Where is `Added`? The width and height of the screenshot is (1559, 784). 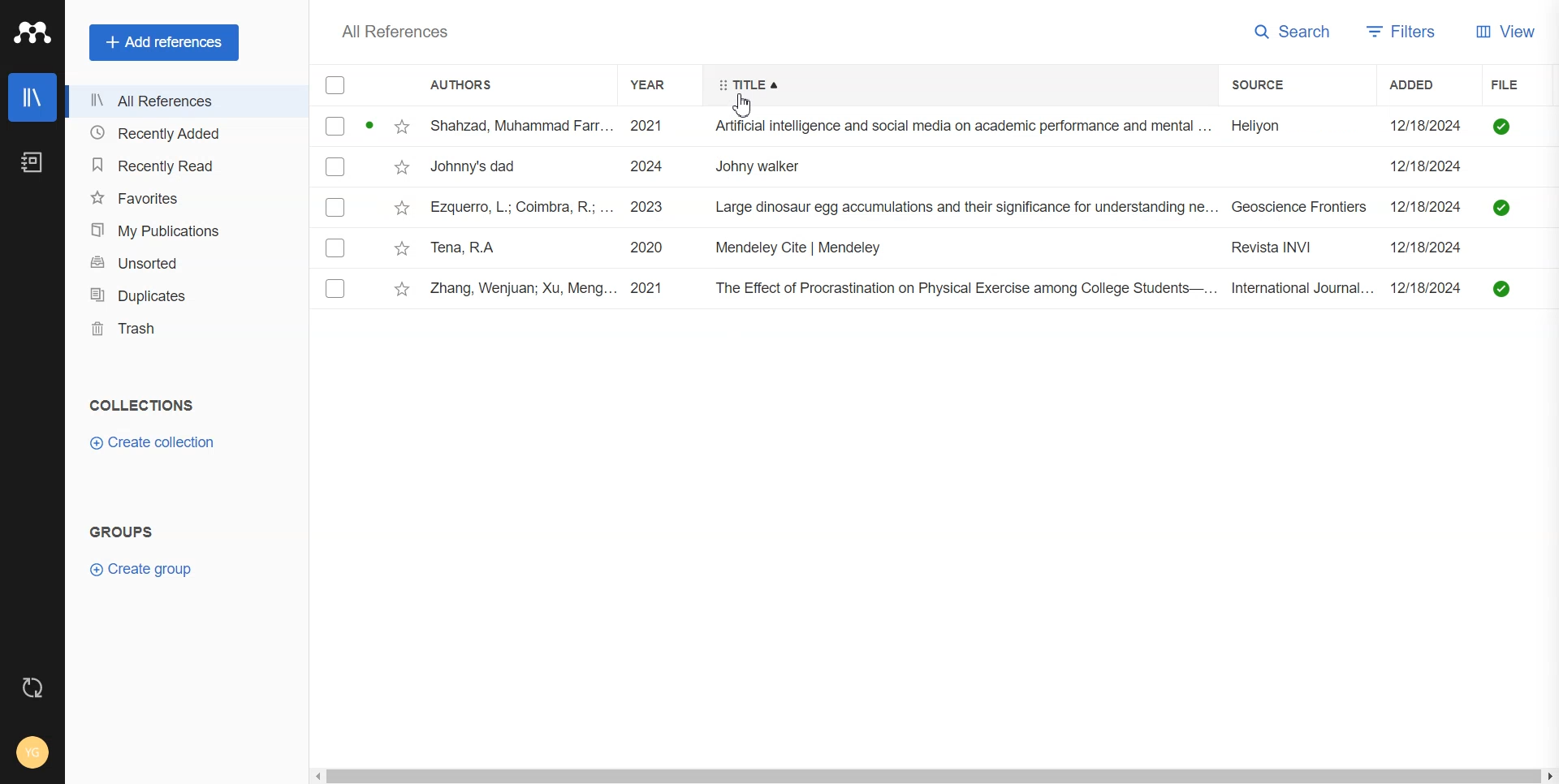 Added is located at coordinates (1430, 84).